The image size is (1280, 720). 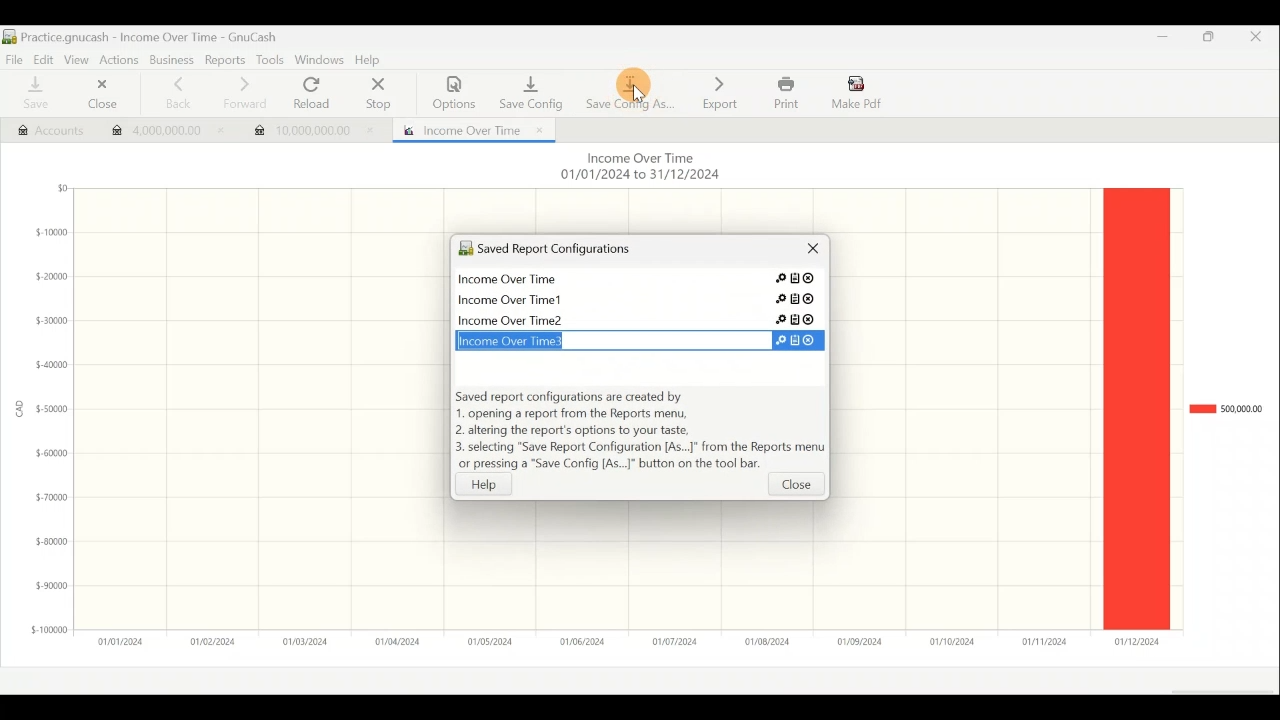 I want to click on Imported transaction 2, so click(x=312, y=126).